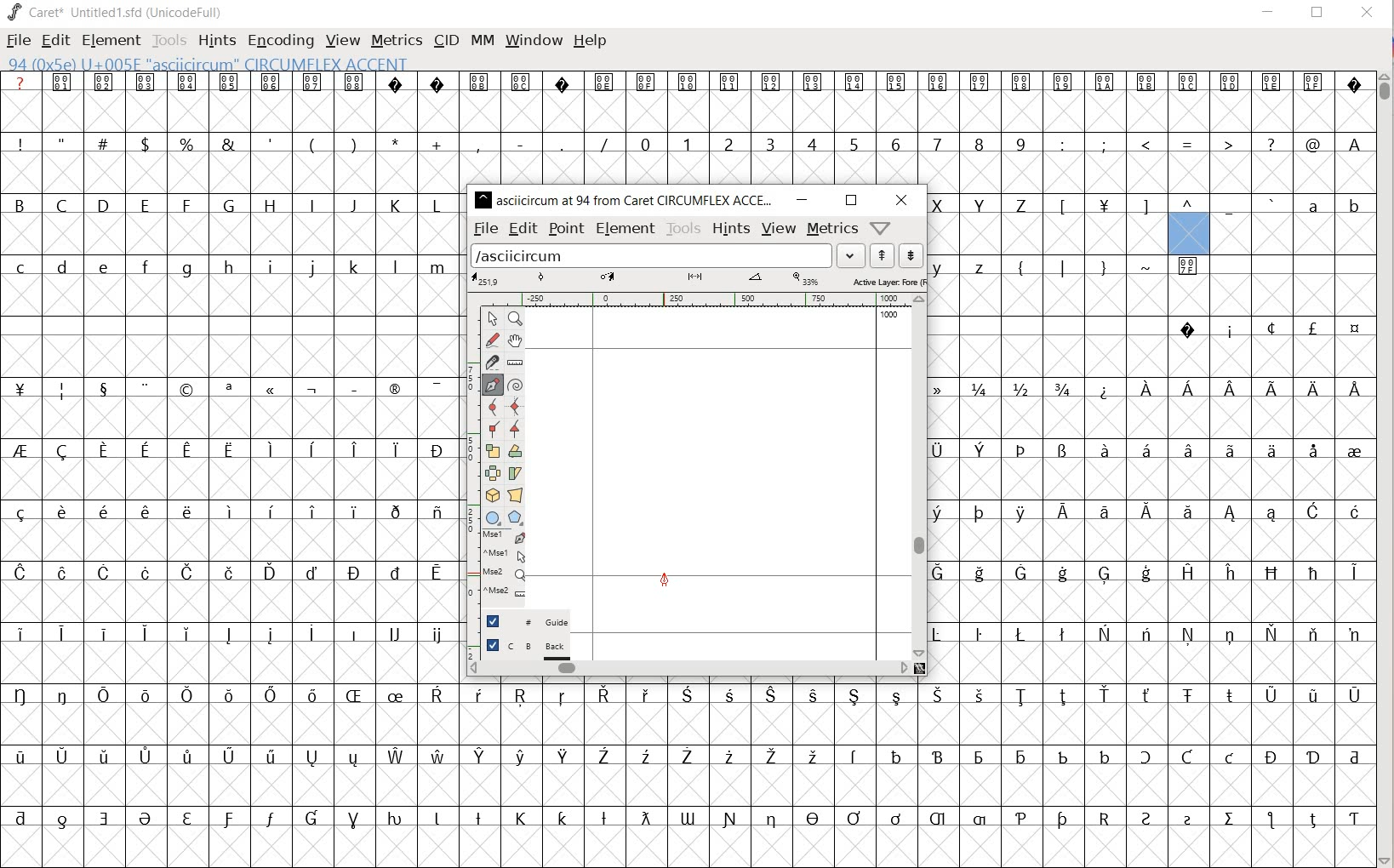  What do you see at coordinates (494, 408) in the screenshot?
I see `add a curve point` at bounding box center [494, 408].